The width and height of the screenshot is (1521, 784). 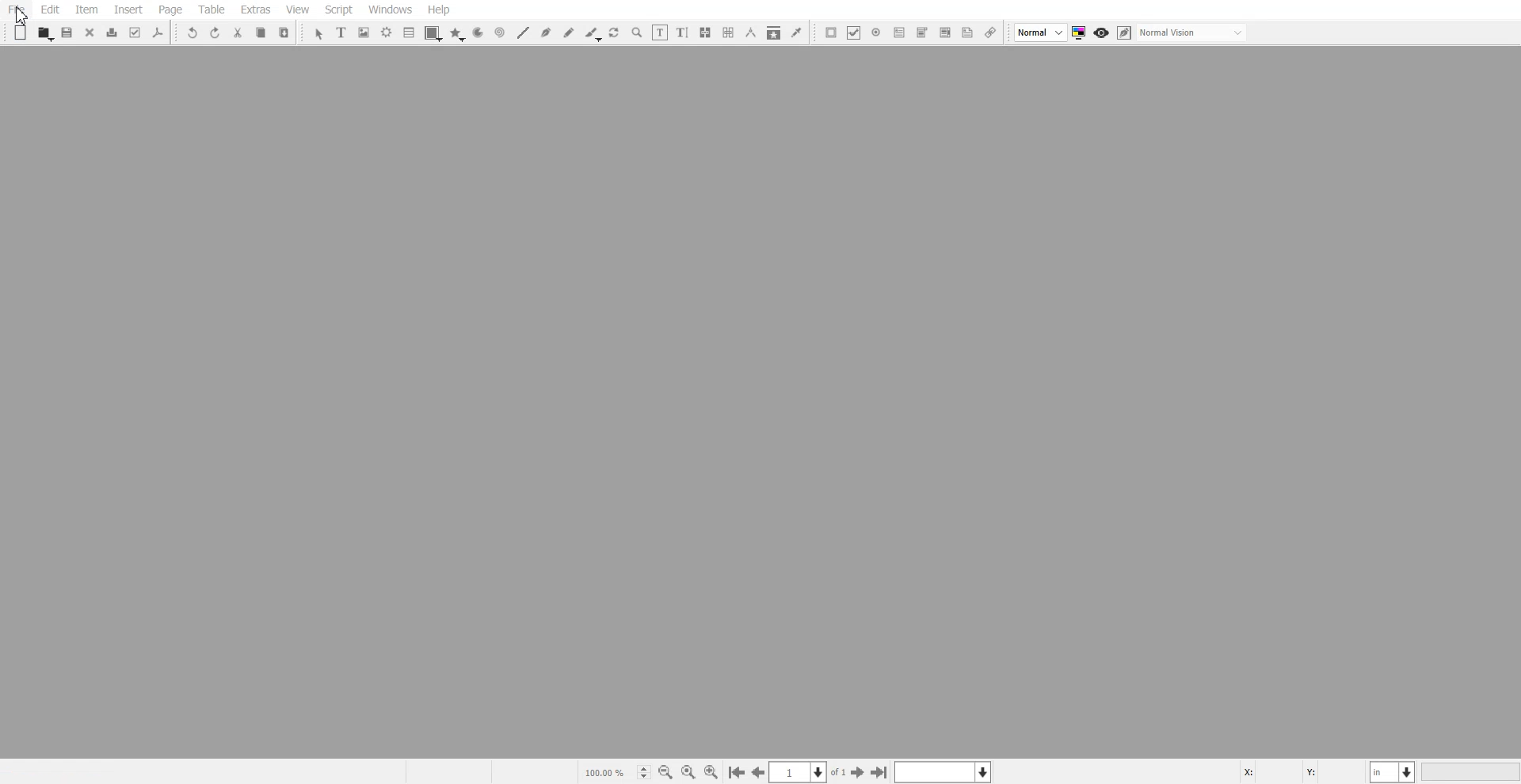 What do you see at coordinates (297, 10) in the screenshot?
I see `View` at bounding box center [297, 10].